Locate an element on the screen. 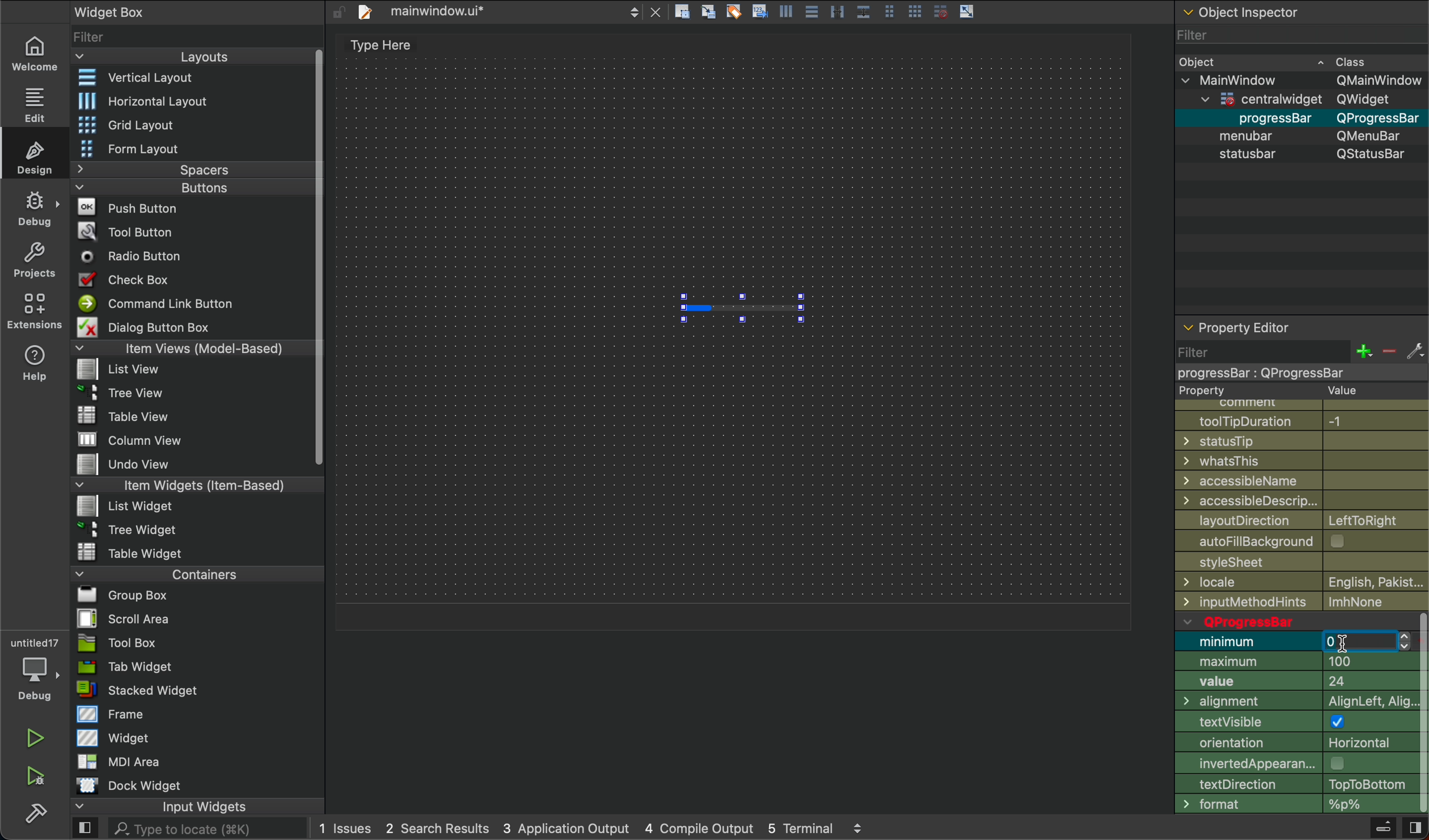 This screenshot has height=840, width=1429. Layout is located at coordinates (183, 57).